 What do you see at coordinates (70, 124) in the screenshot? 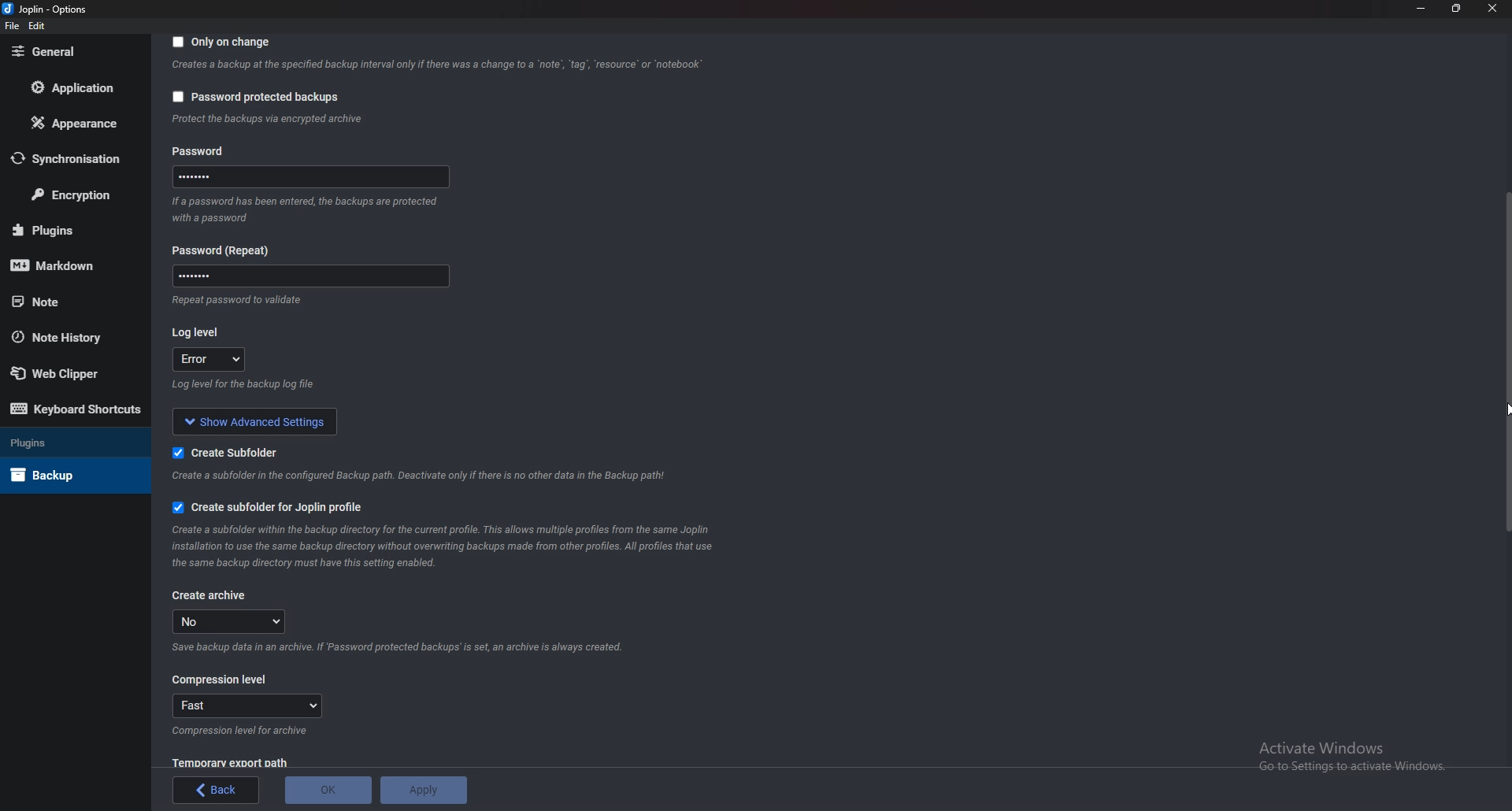
I see `Appearance` at bounding box center [70, 124].